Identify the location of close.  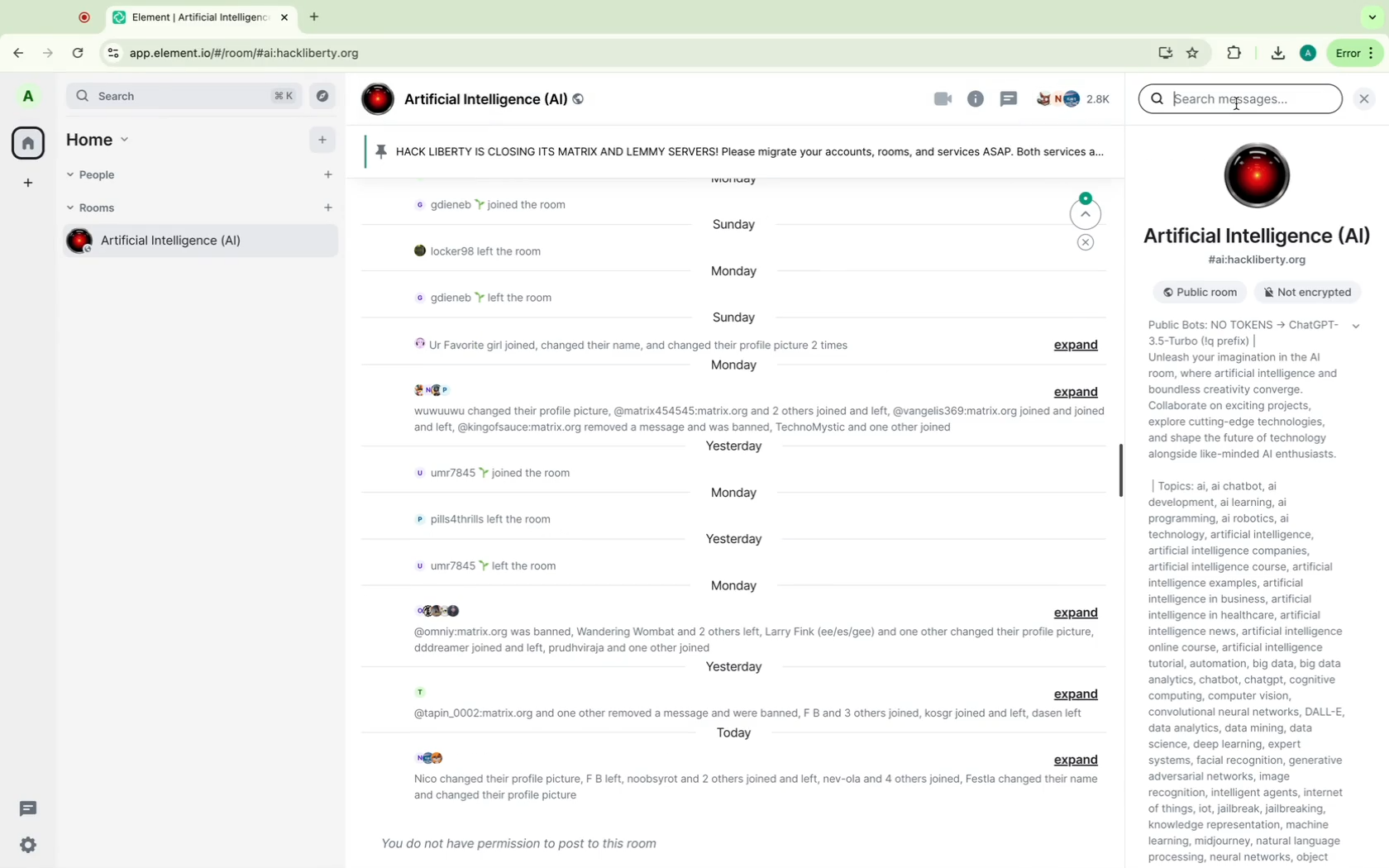
(1368, 98).